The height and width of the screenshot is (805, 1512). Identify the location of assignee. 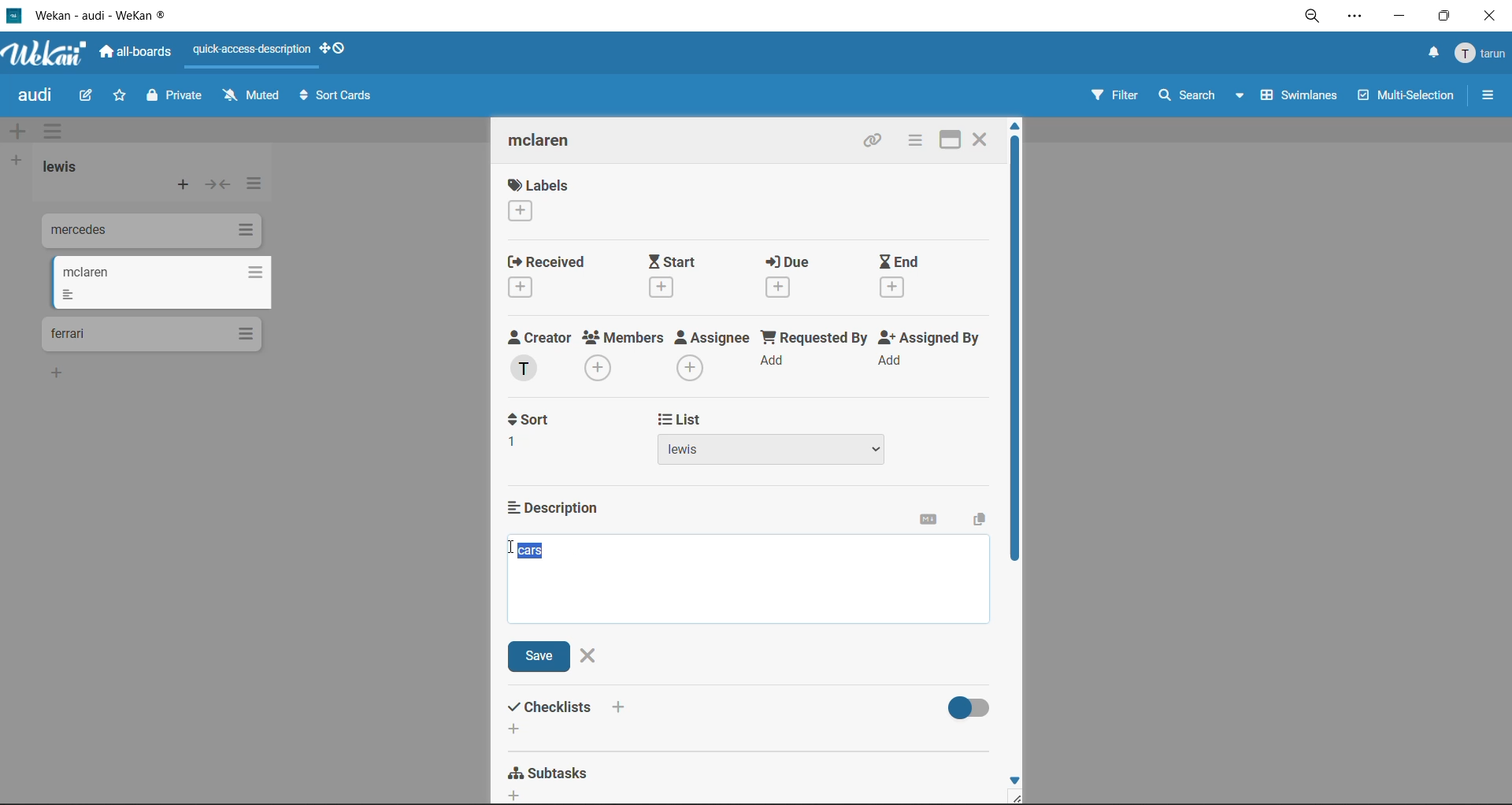
(713, 355).